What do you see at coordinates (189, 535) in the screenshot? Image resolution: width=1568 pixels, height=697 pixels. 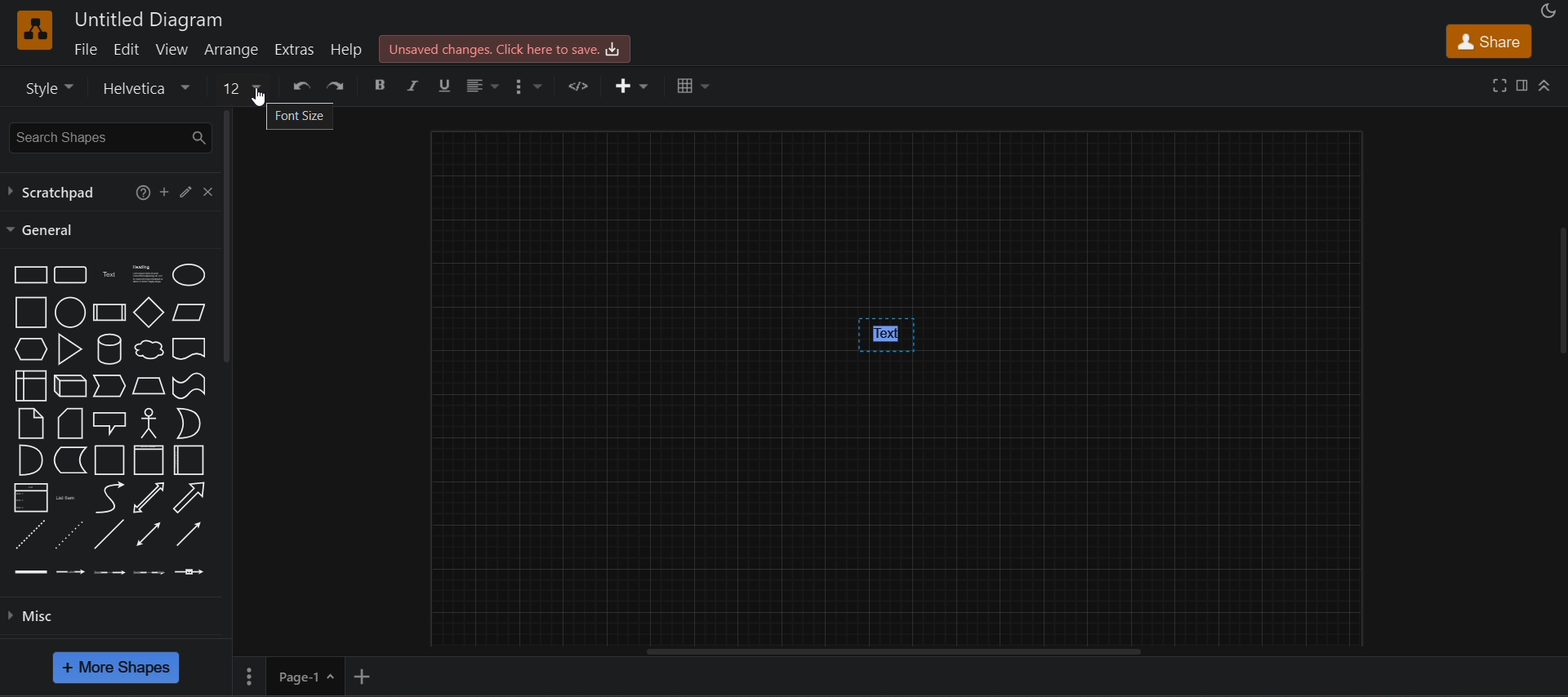 I see `Directional connector` at bounding box center [189, 535].